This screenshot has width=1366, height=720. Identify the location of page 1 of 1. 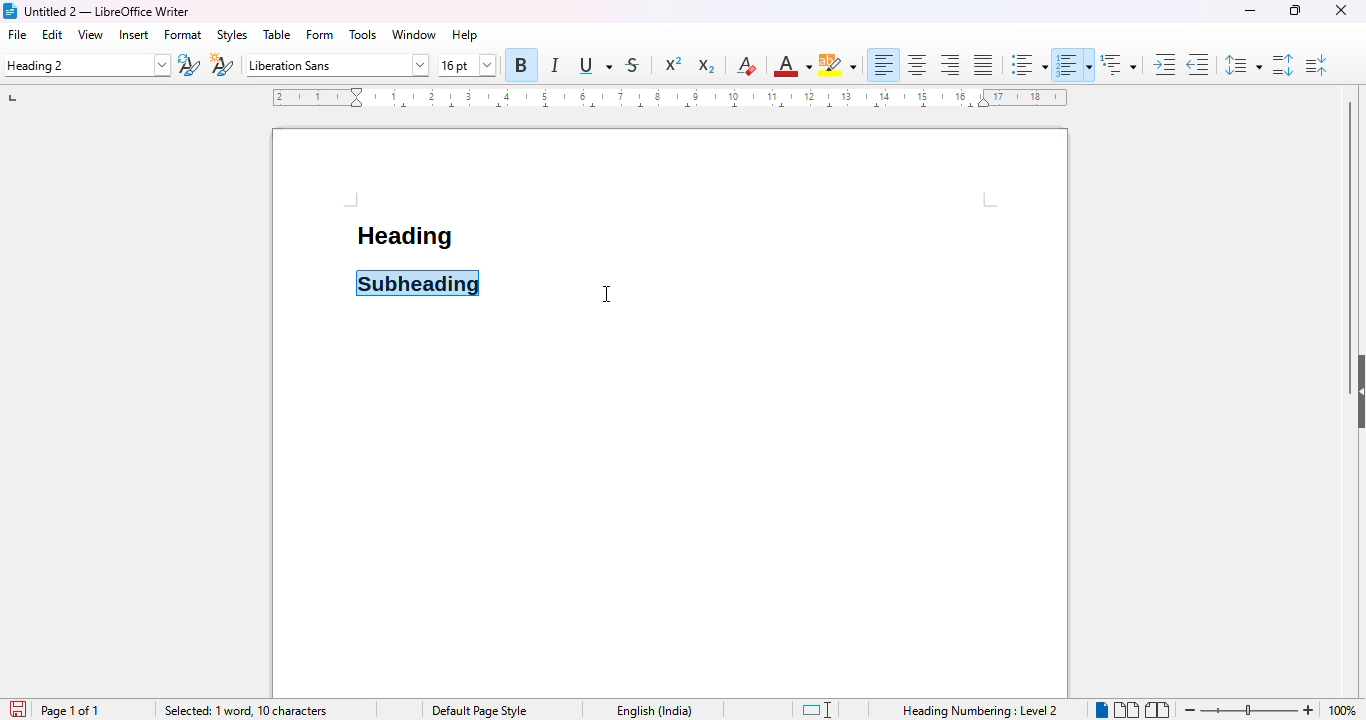
(70, 710).